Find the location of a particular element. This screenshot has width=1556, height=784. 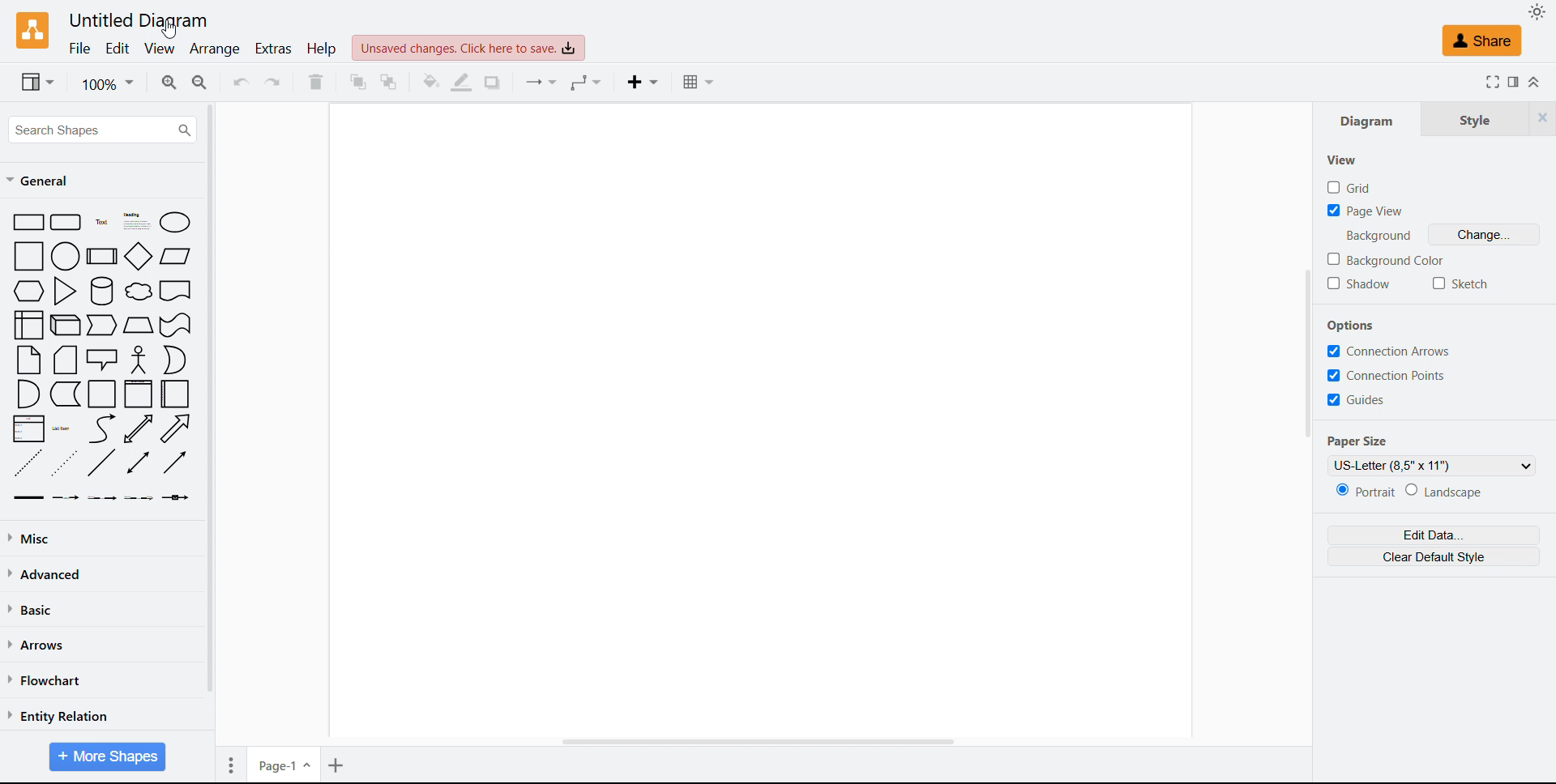

Landscape  is located at coordinates (1447, 491).